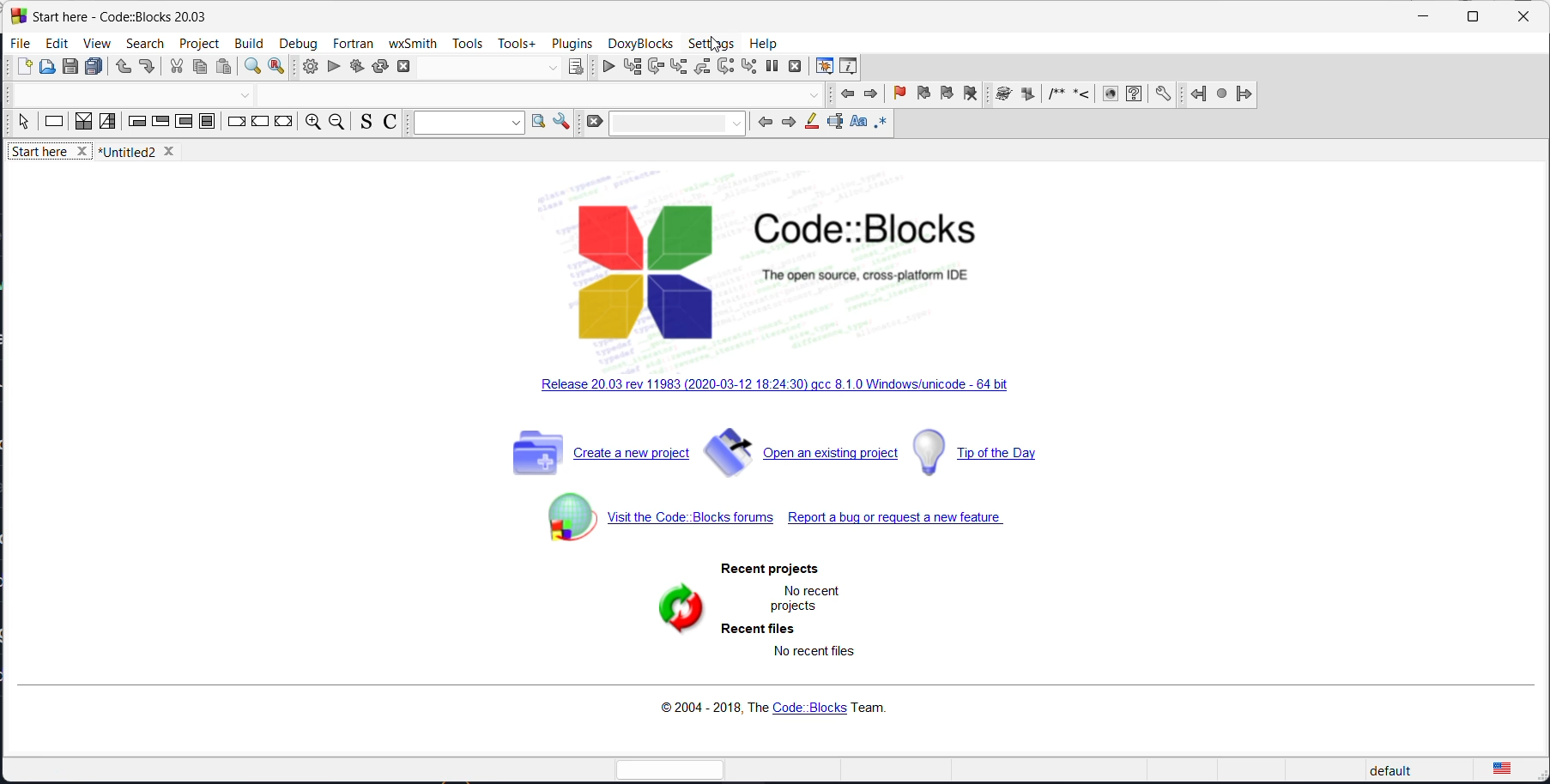 This screenshot has height=784, width=1550. What do you see at coordinates (679, 122) in the screenshot?
I see `dropdown` at bounding box center [679, 122].